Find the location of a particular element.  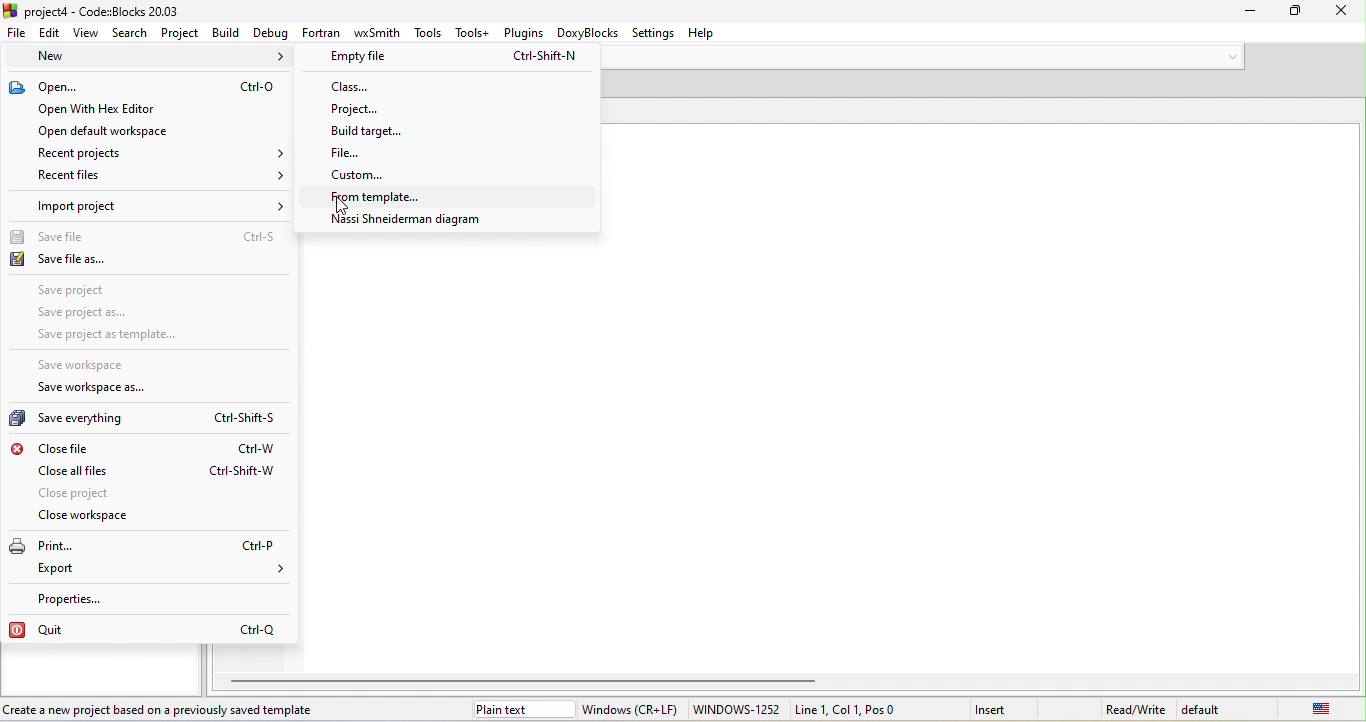

Create a new project based on a previously saved template is located at coordinates (159, 711).